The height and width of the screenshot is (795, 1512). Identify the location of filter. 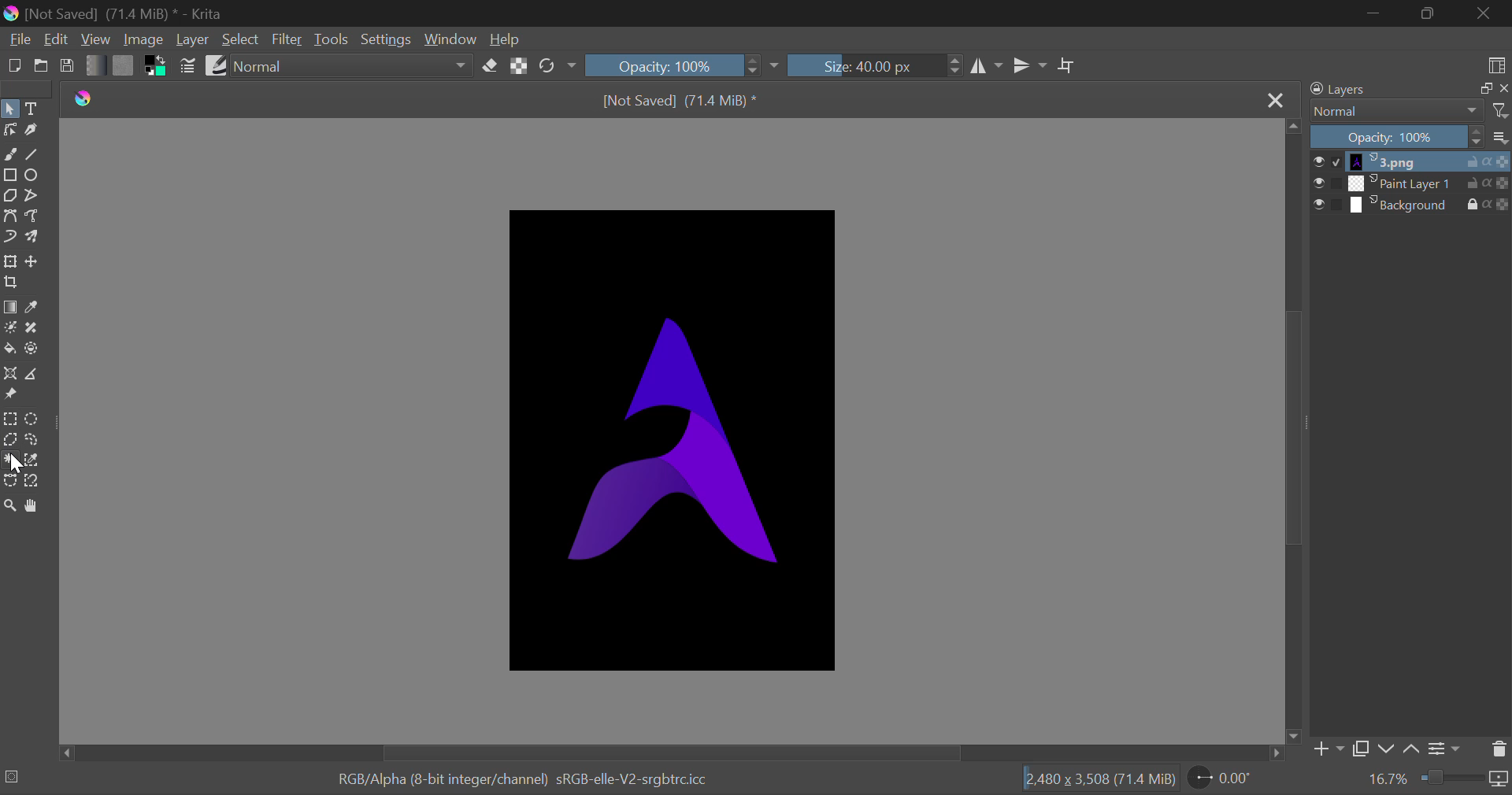
(1499, 113).